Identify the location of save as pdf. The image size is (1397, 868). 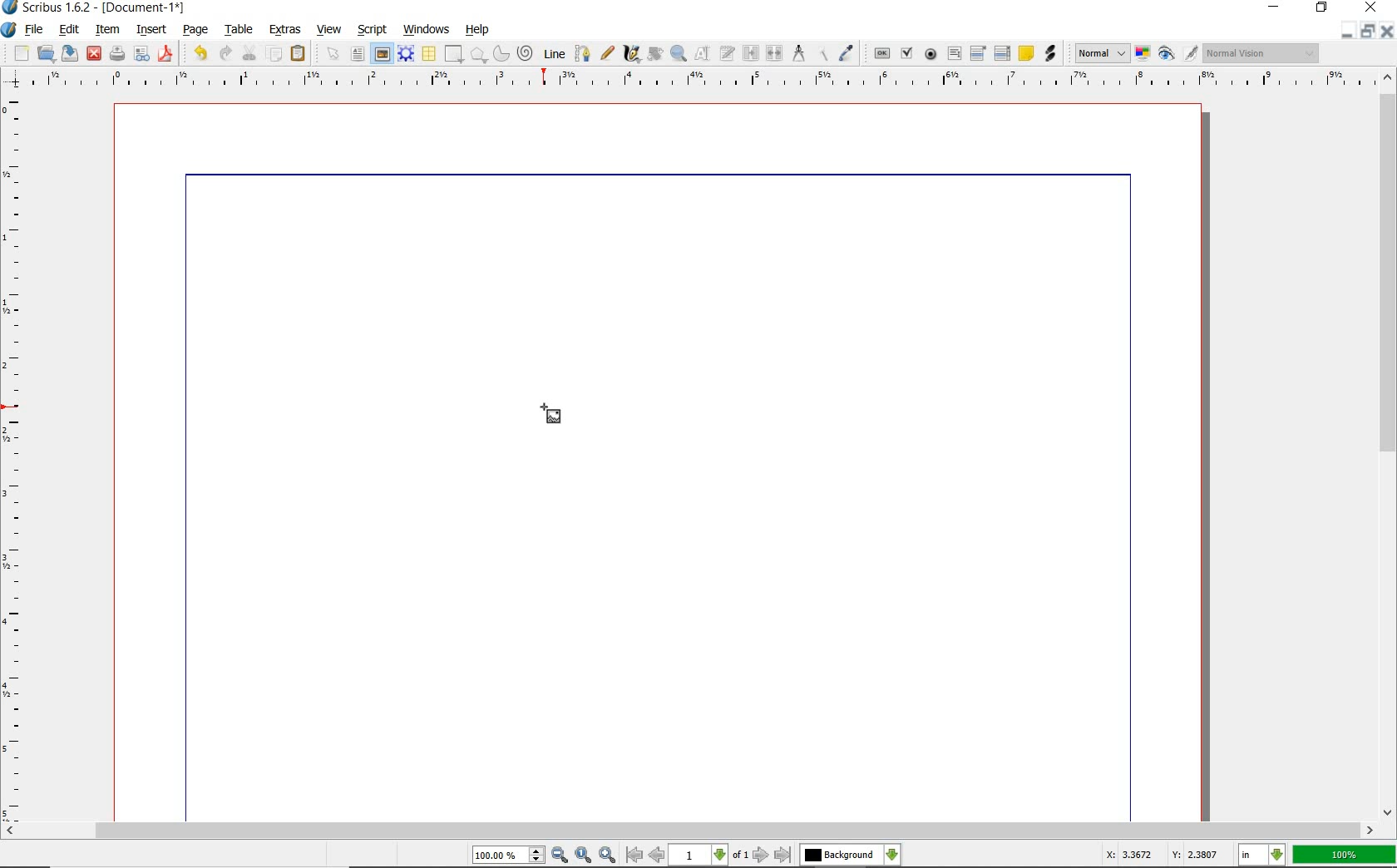
(166, 53).